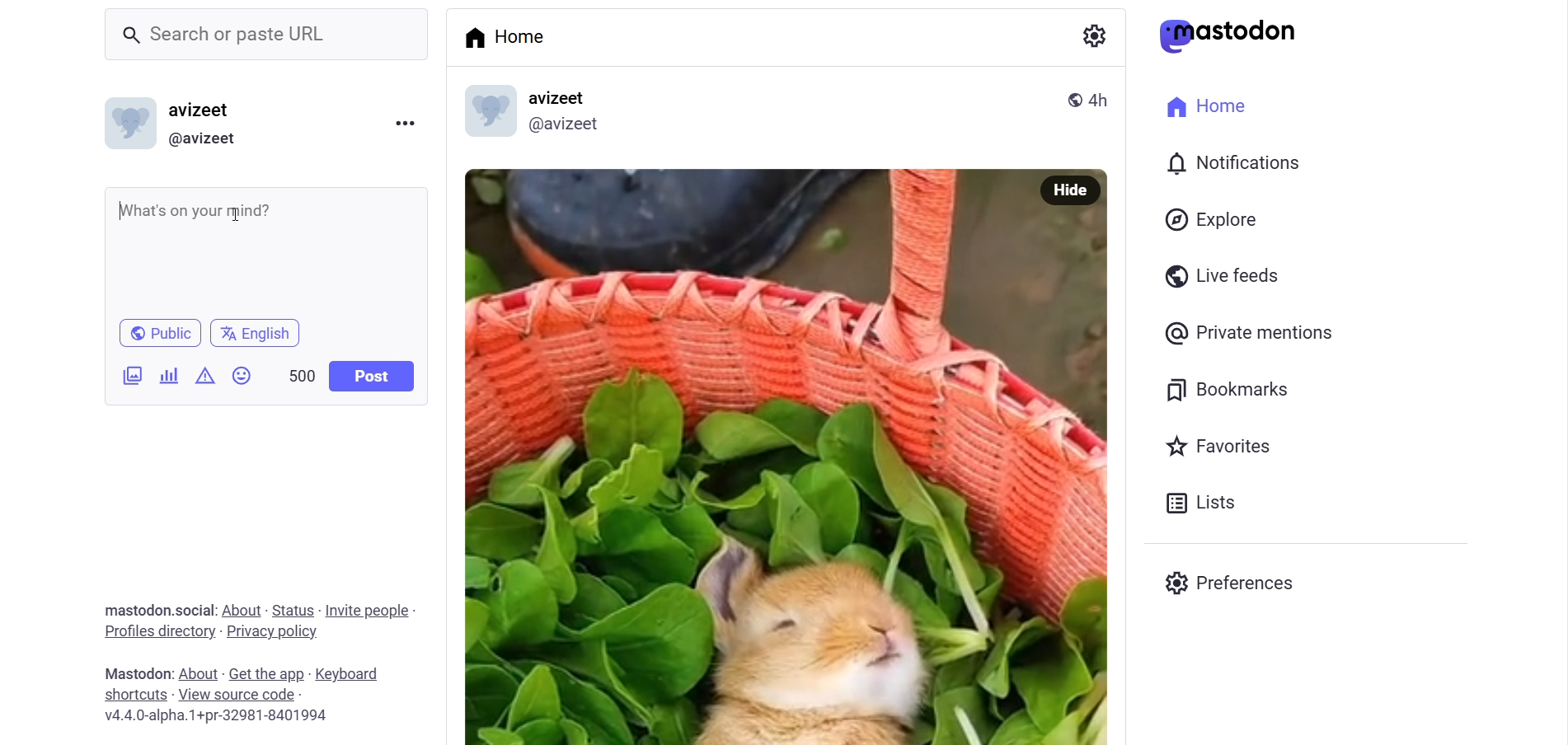  What do you see at coordinates (1100, 100) in the screenshot?
I see `4h` at bounding box center [1100, 100].